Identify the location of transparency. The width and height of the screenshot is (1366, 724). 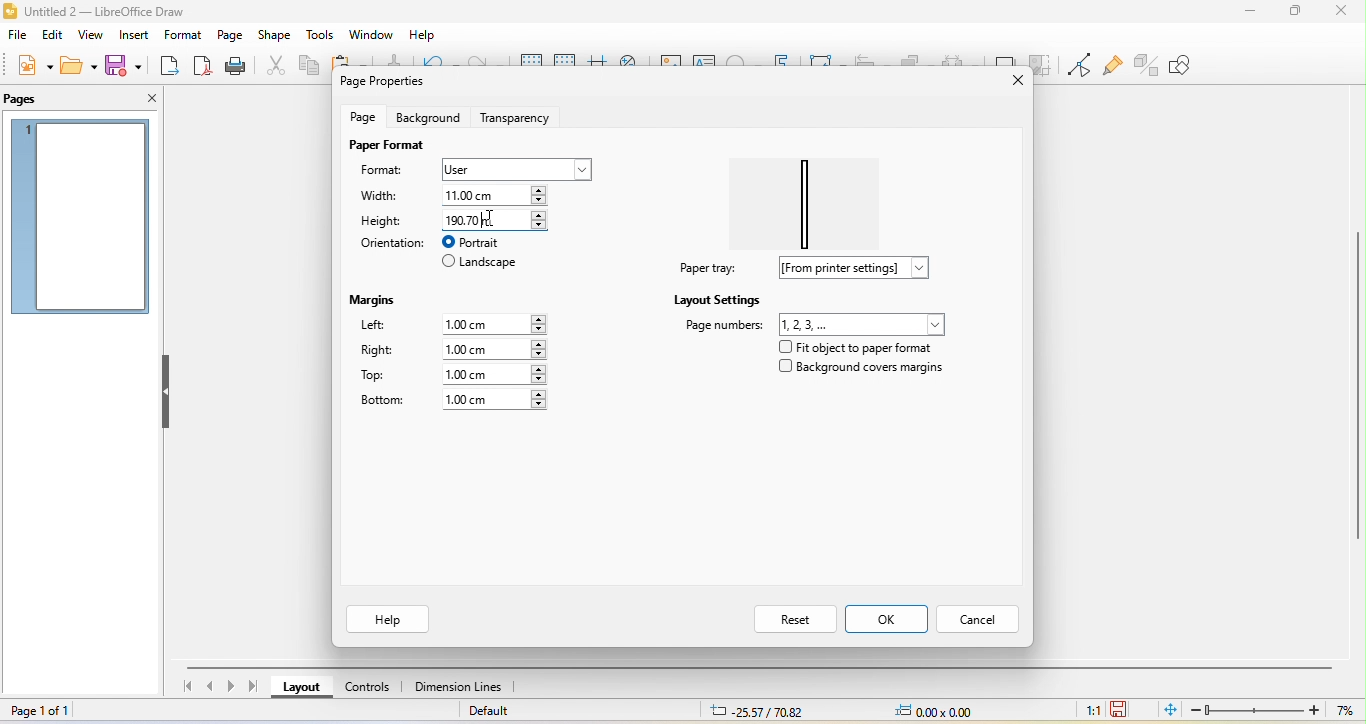
(520, 115).